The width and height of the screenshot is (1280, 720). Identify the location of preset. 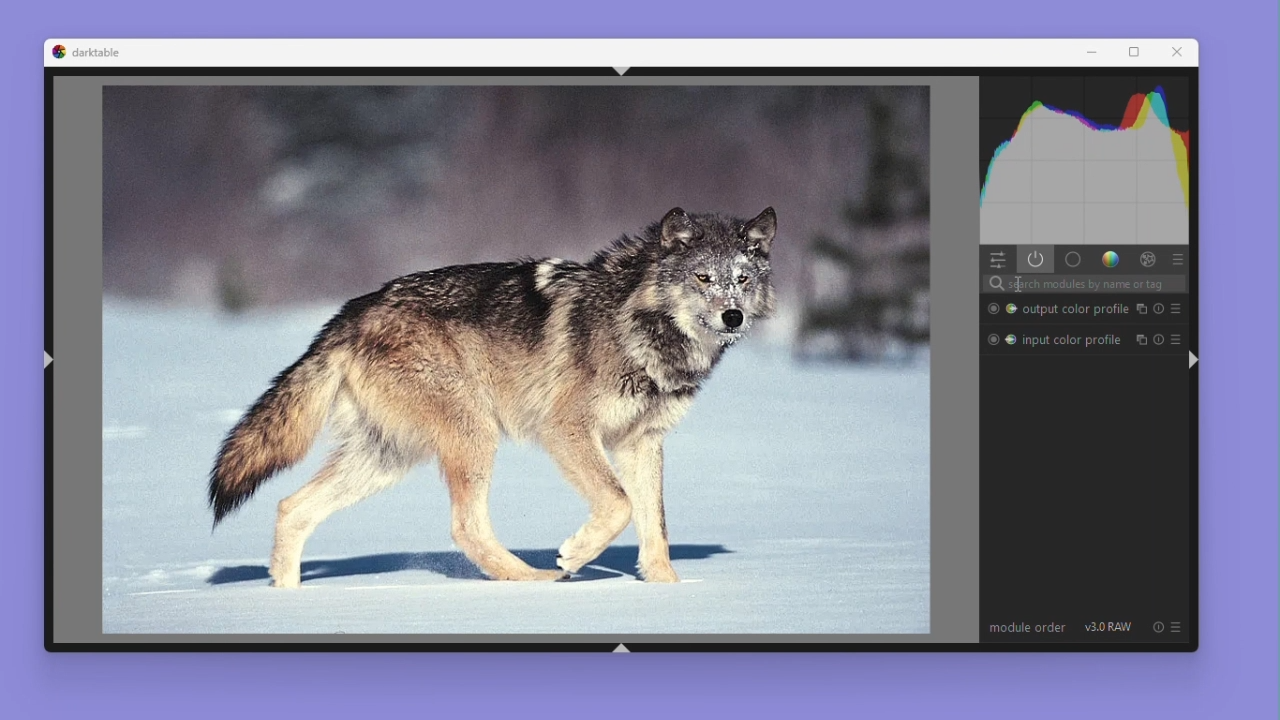
(1176, 627).